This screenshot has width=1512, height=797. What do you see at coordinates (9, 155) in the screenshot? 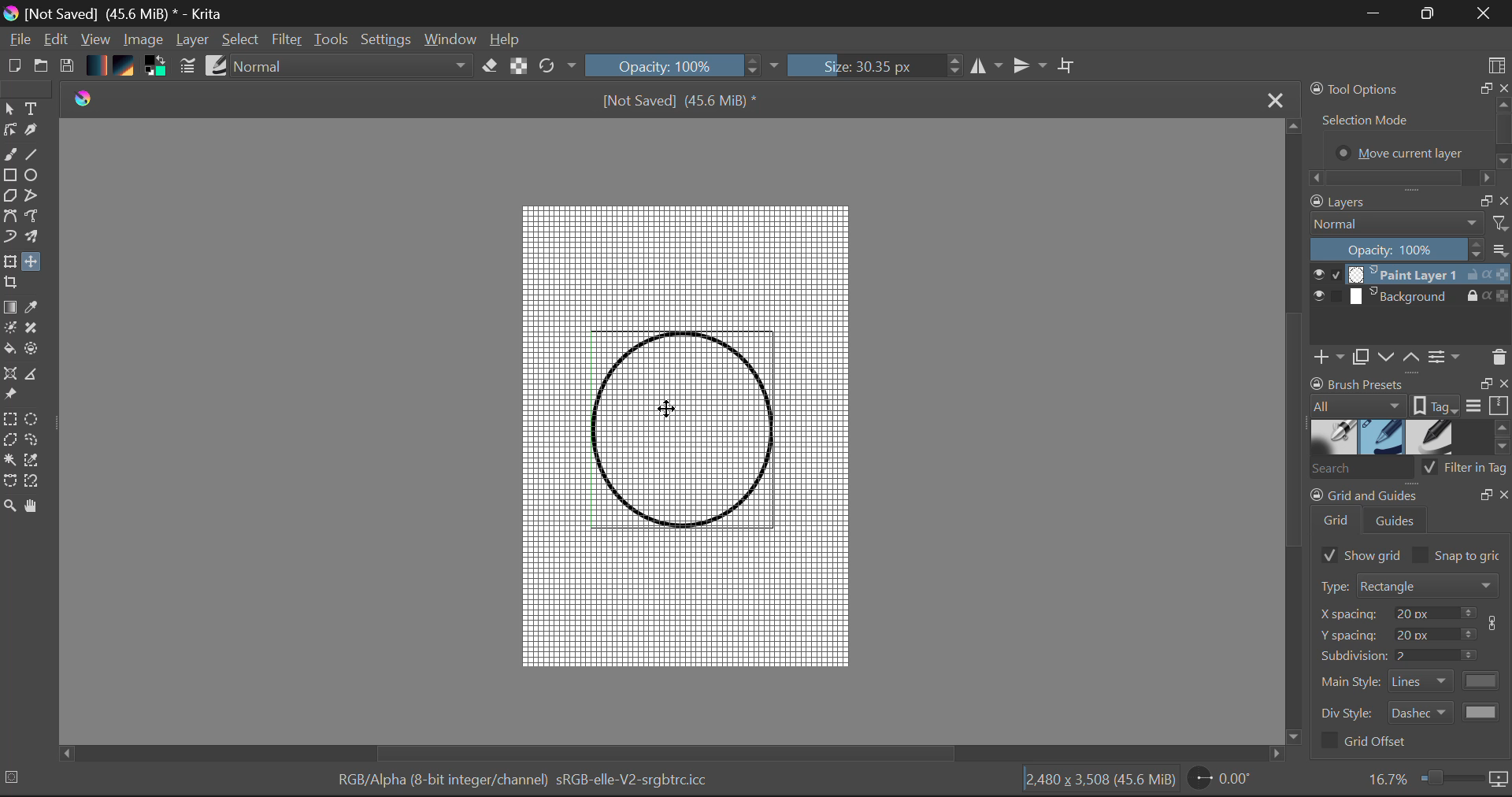
I see `Freehand` at bounding box center [9, 155].